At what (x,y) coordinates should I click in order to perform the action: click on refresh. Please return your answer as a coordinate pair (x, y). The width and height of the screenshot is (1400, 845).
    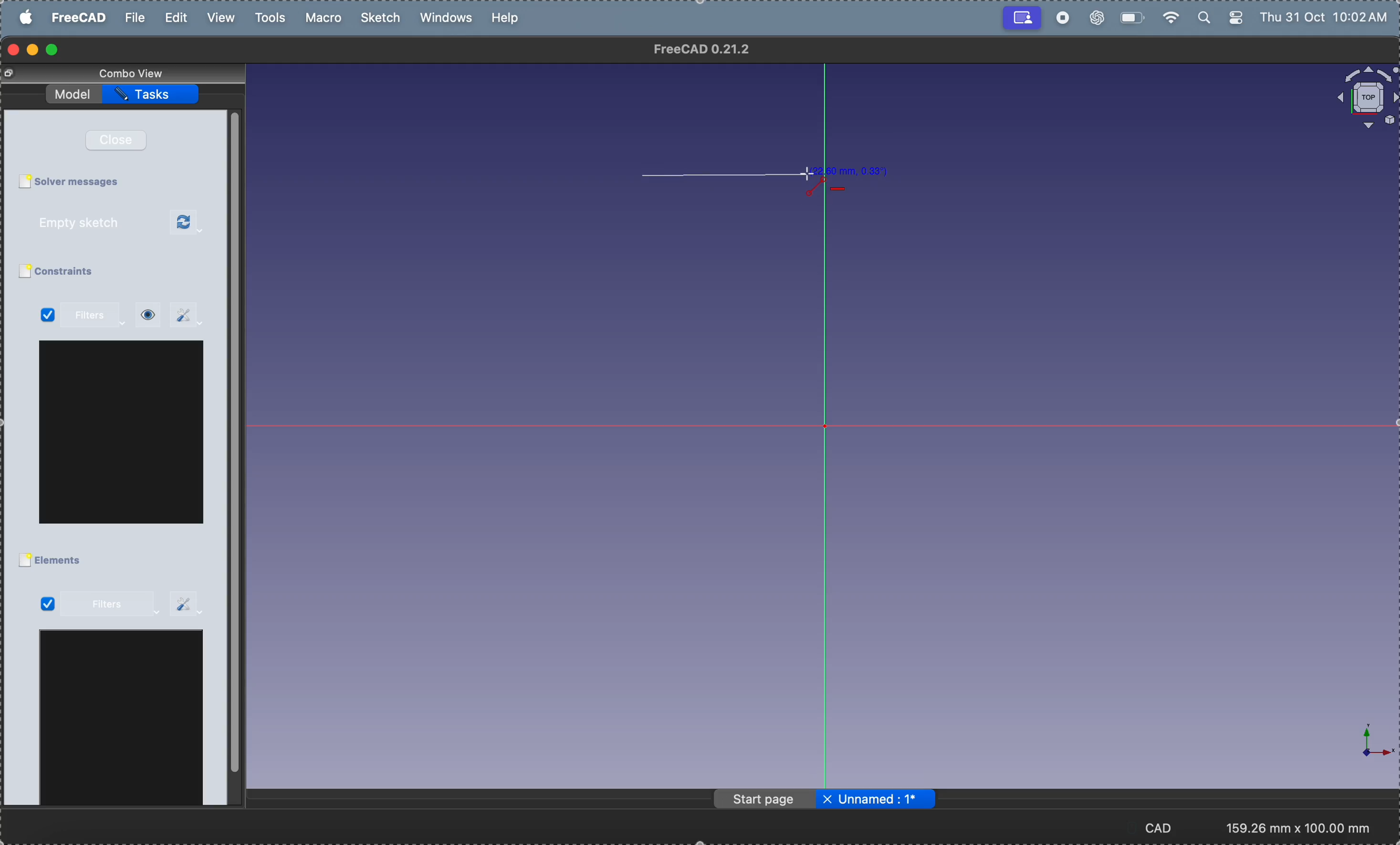
    Looking at the image, I should click on (188, 223).